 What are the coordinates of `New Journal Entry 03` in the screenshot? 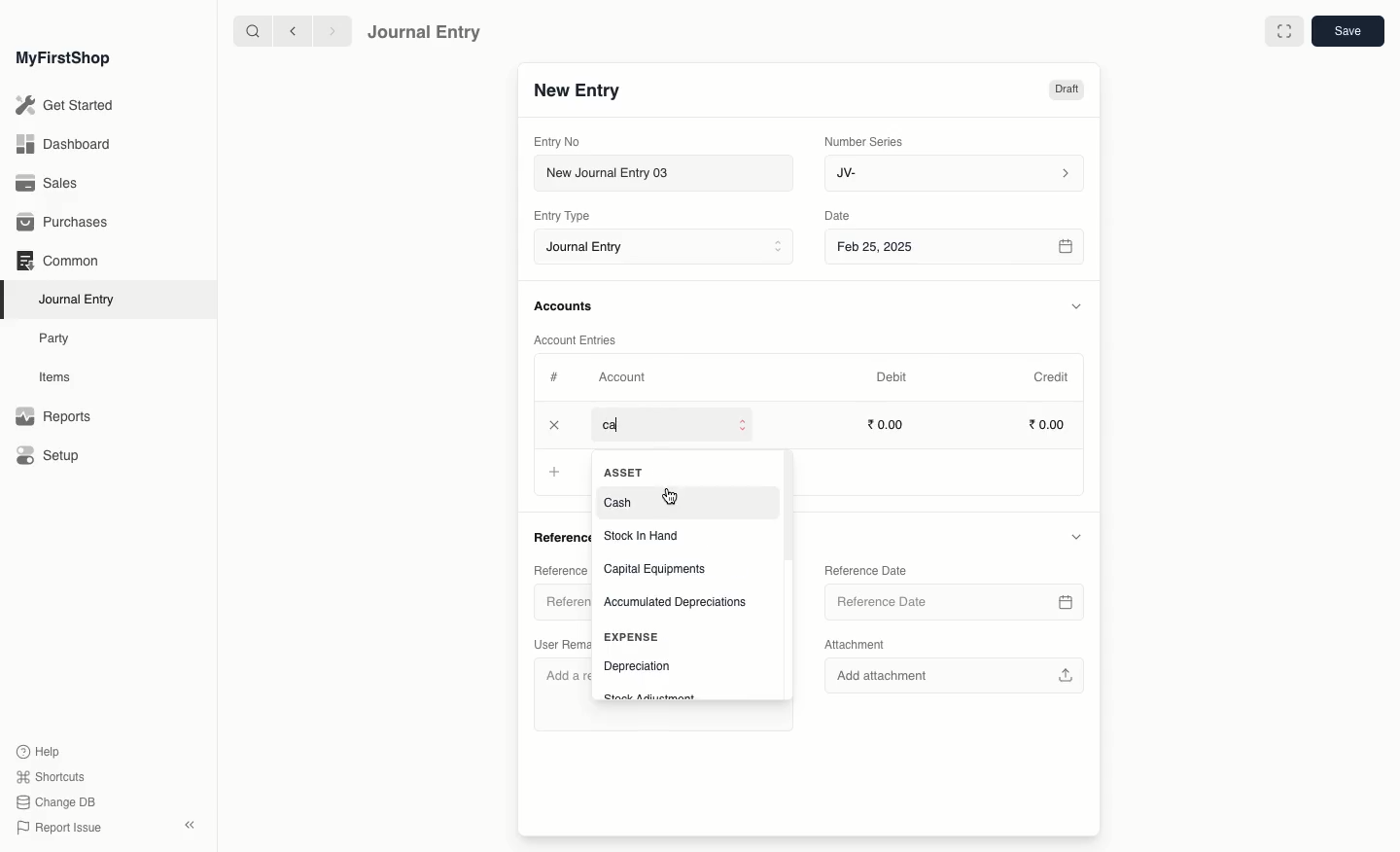 It's located at (669, 174).